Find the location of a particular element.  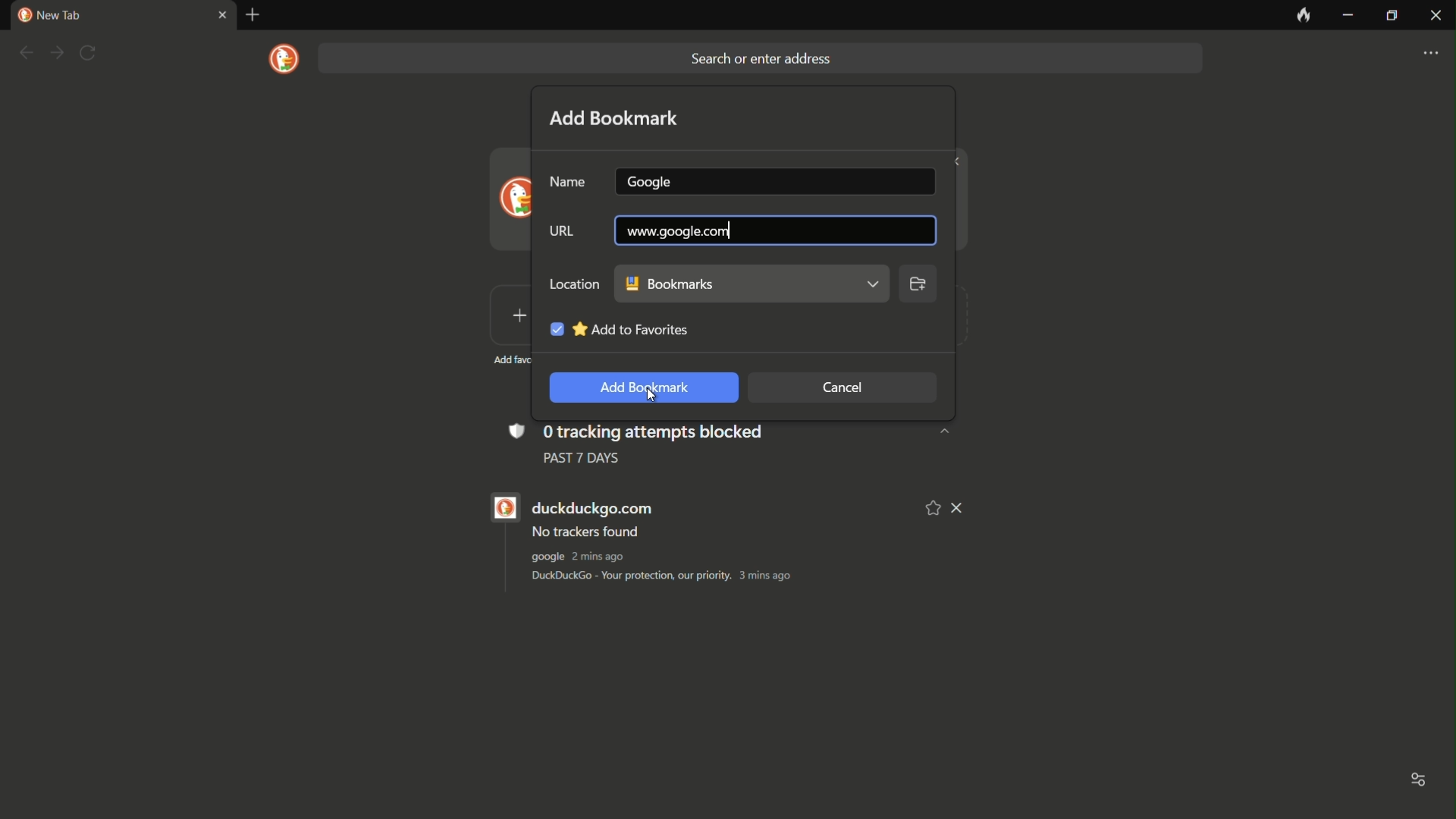

maximize or restore is located at coordinates (1391, 17).